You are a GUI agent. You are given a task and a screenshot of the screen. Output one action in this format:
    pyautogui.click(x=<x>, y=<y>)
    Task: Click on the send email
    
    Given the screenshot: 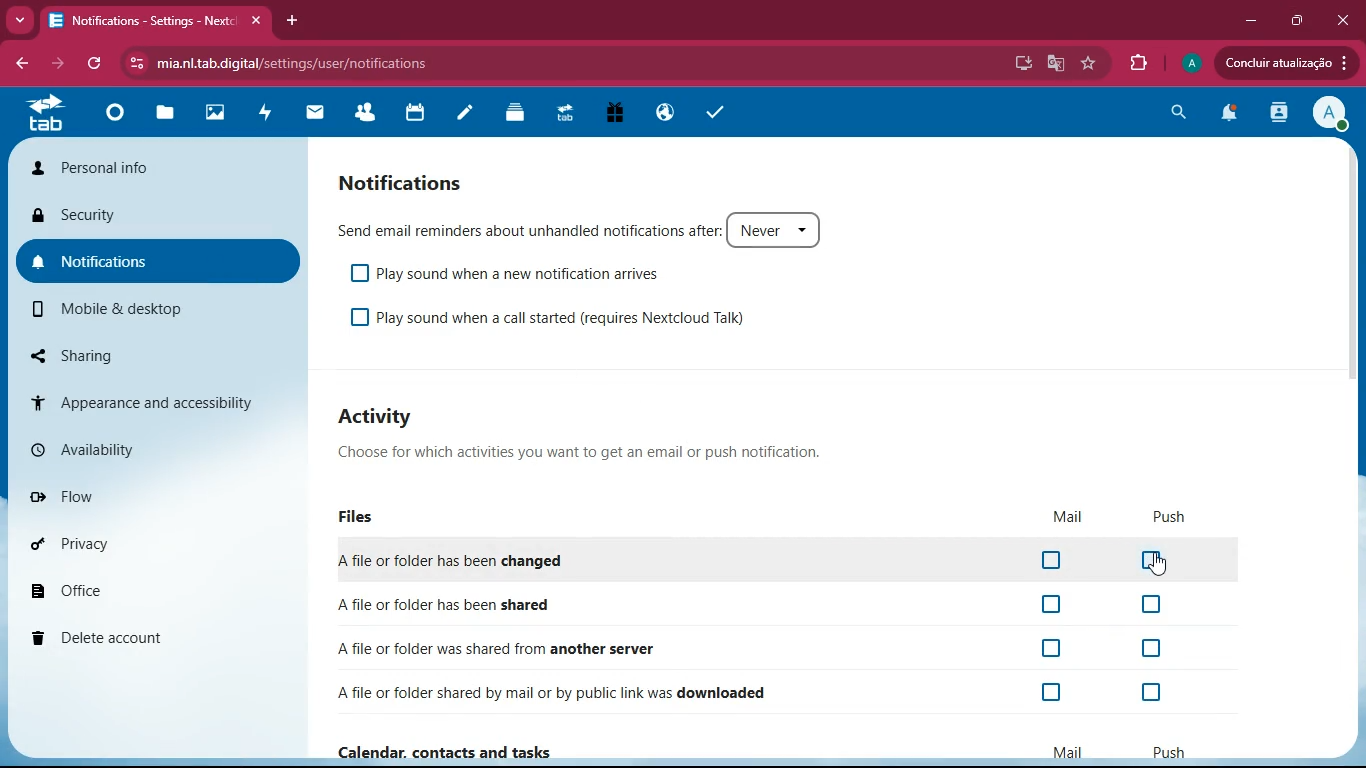 What is the action you would take?
    pyautogui.click(x=581, y=227)
    